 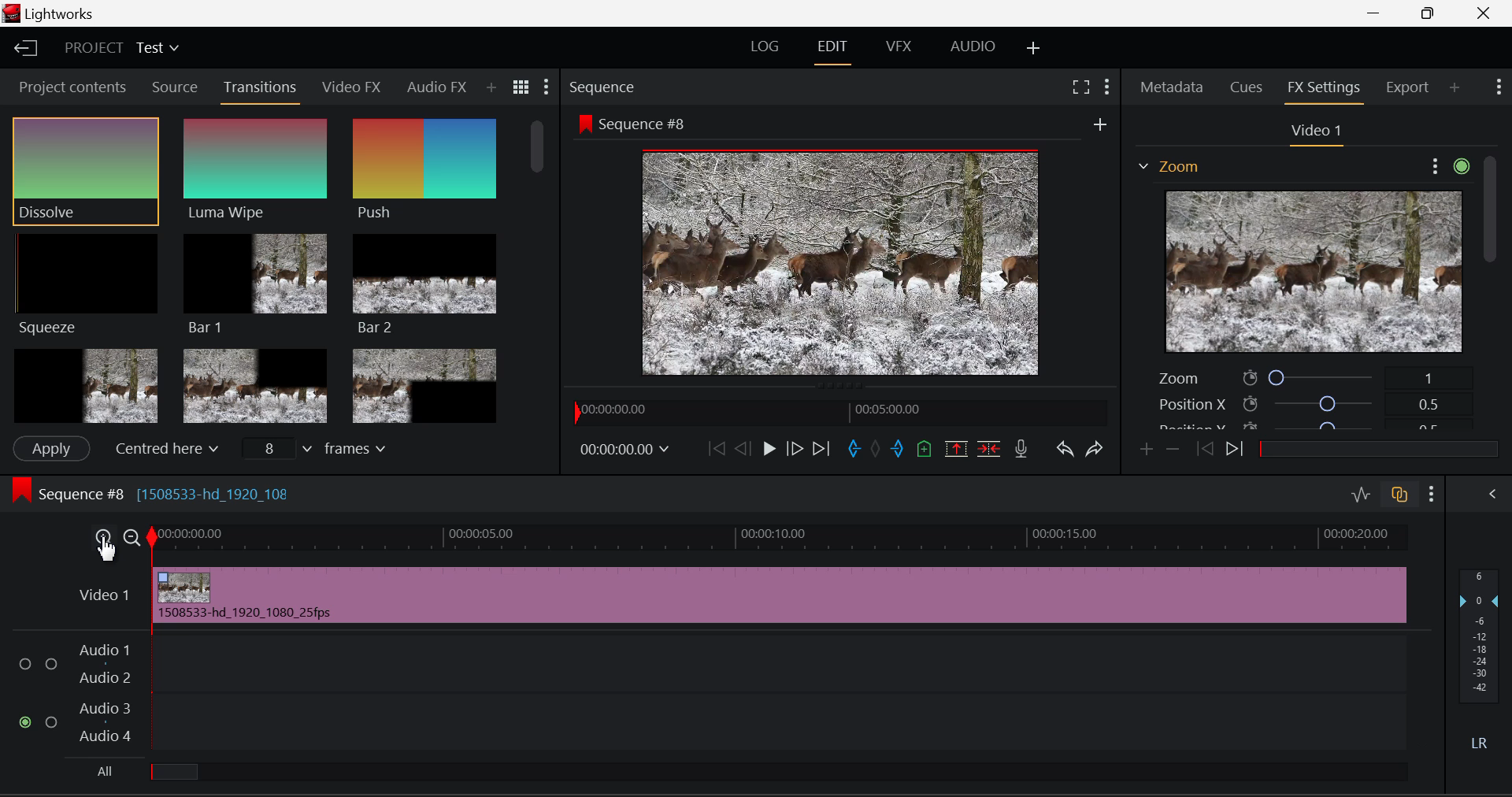 What do you see at coordinates (1021, 450) in the screenshot?
I see `Record Voiceover` at bounding box center [1021, 450].